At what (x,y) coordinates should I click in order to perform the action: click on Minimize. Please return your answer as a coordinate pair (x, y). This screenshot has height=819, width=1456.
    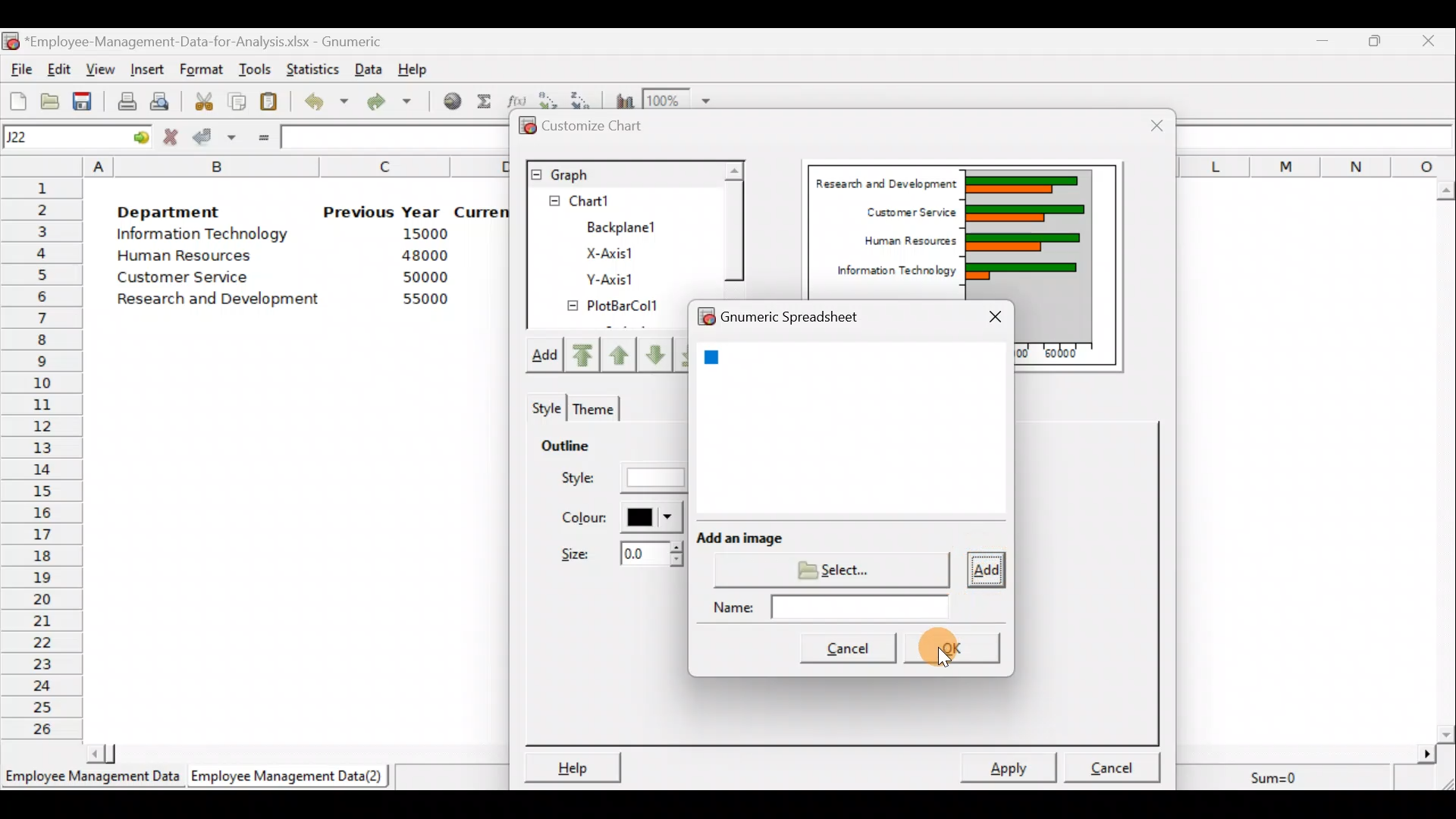
    Looking at the image, I should click on (1323, 40).